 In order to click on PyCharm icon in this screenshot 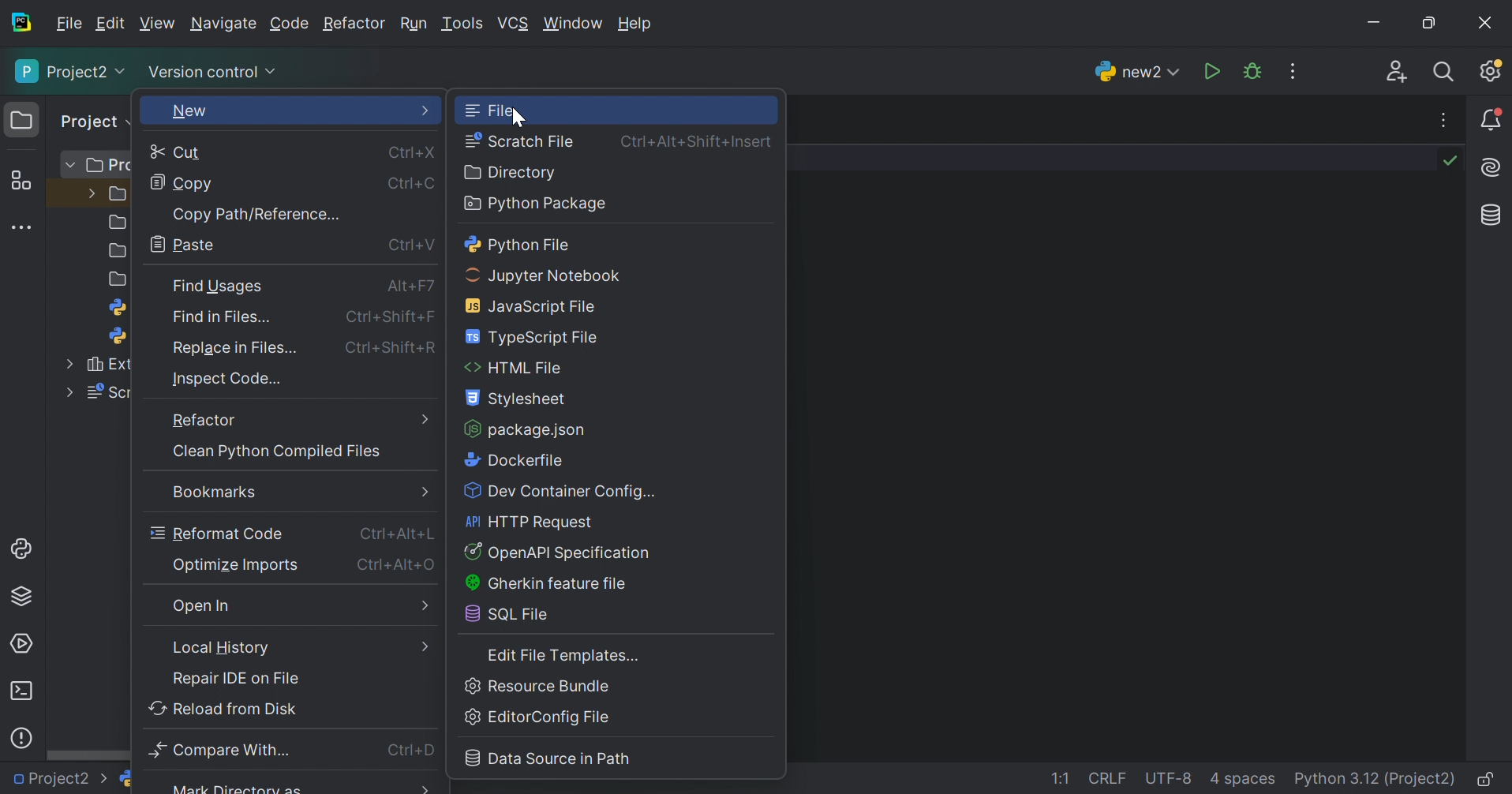, I will do `click(24, 23)`.